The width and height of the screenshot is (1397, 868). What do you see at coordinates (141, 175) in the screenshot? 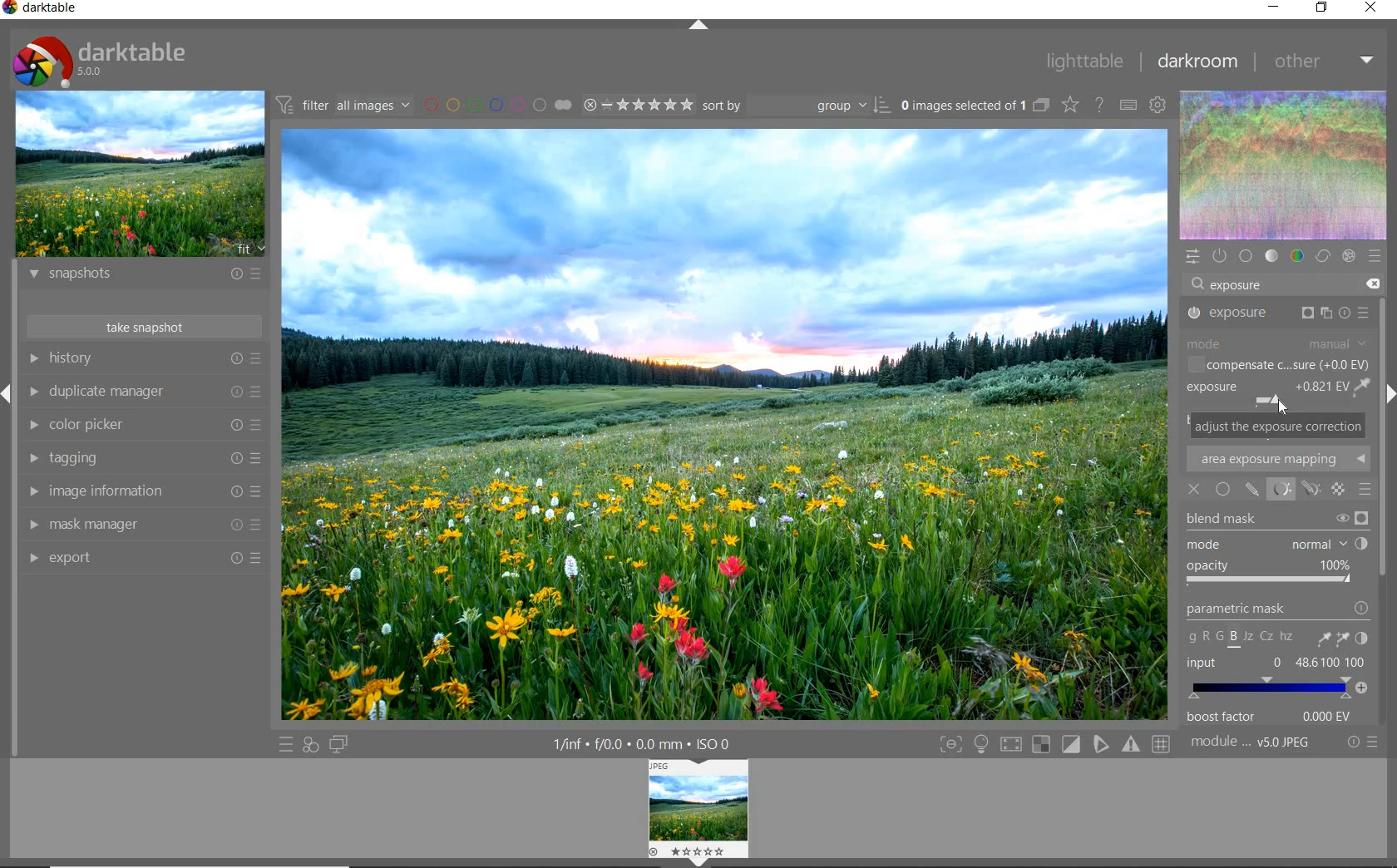
I see `image preview` at bounding box center [141, 175].